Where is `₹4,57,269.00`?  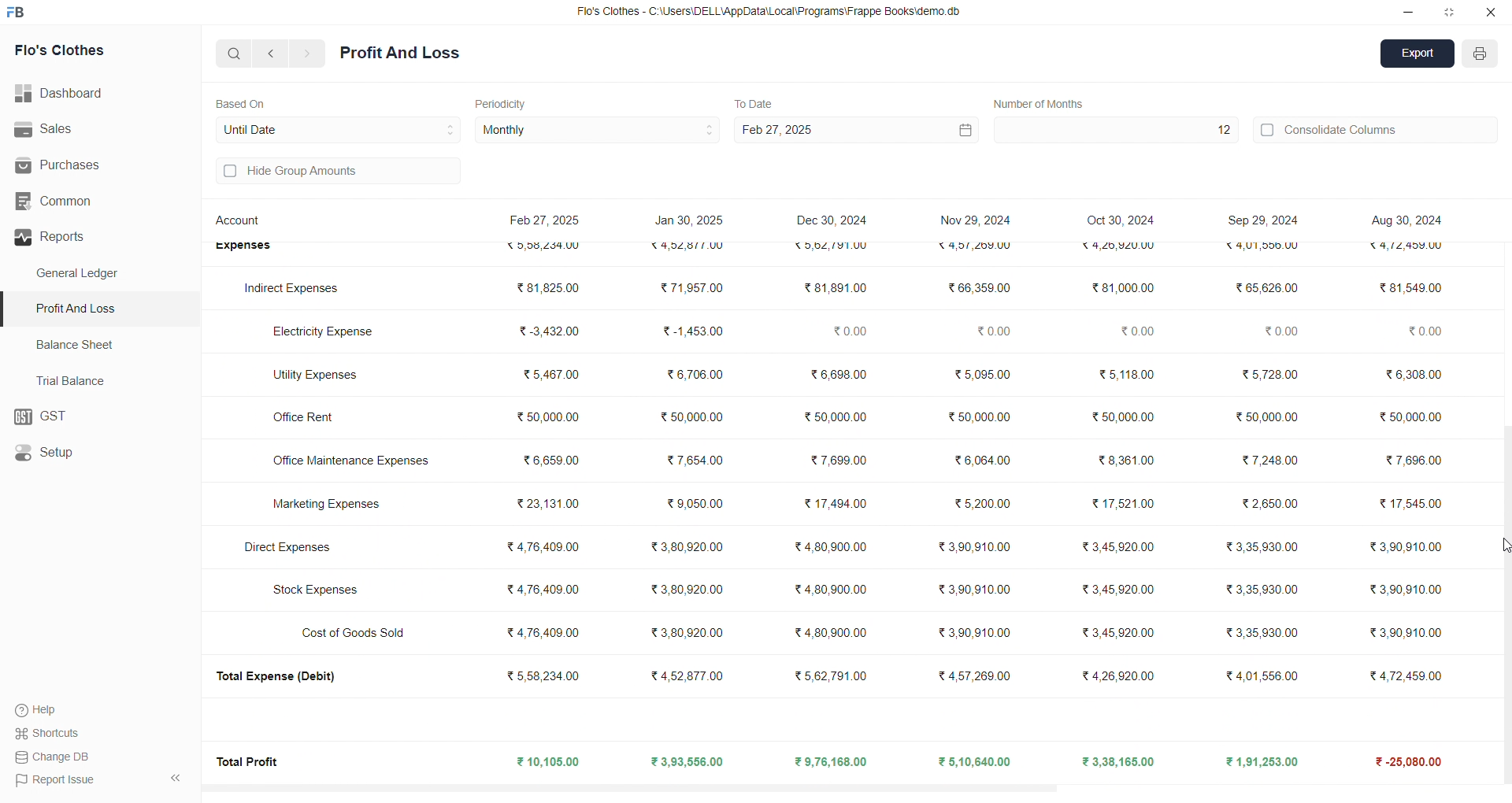 ₹4,57,269.00 is located at coordinates (972, 248).